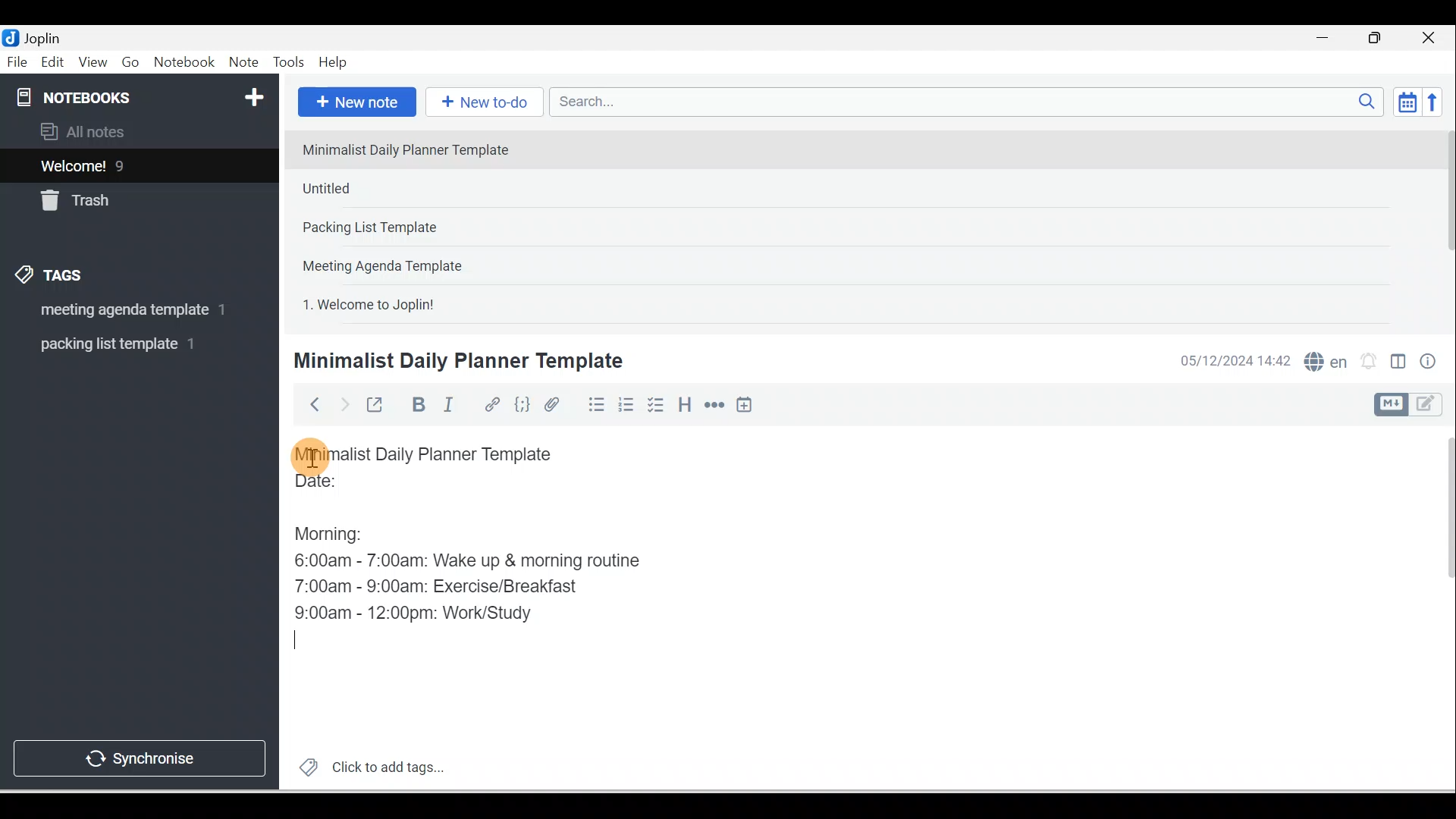  What do you see at coordinates (438, 454) in the screenshot?
I see `Minimalist Daily Planner Template` at bounding box center [438, 454].